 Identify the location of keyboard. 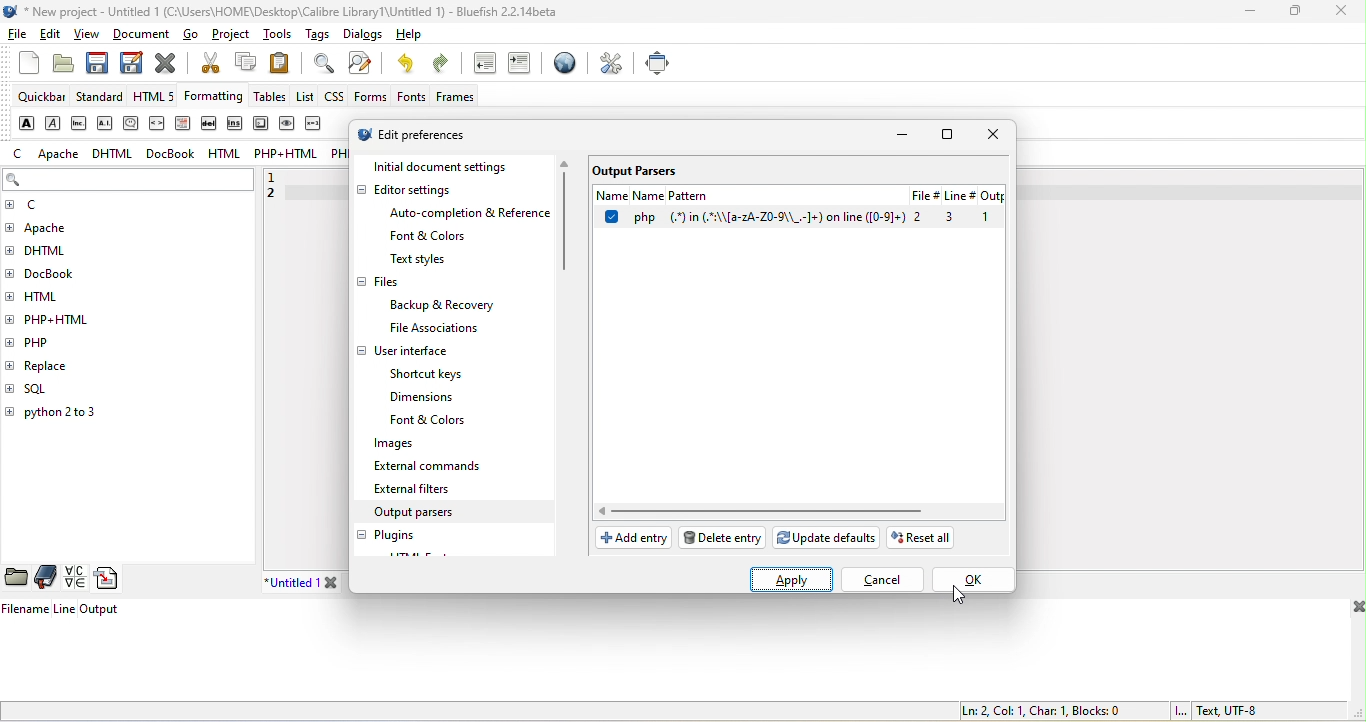
(260, 124).